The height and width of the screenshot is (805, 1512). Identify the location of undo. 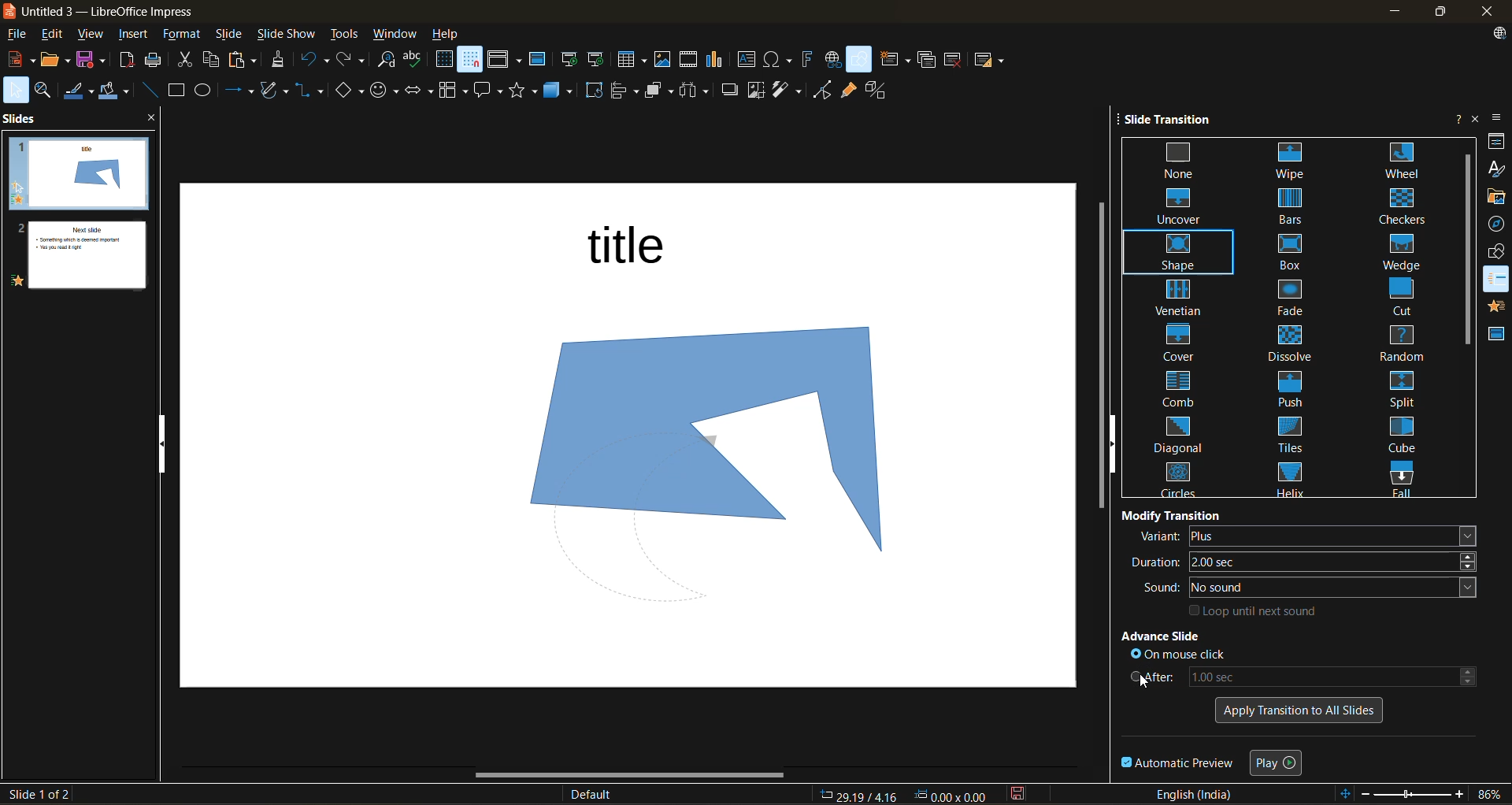
(315, 61).